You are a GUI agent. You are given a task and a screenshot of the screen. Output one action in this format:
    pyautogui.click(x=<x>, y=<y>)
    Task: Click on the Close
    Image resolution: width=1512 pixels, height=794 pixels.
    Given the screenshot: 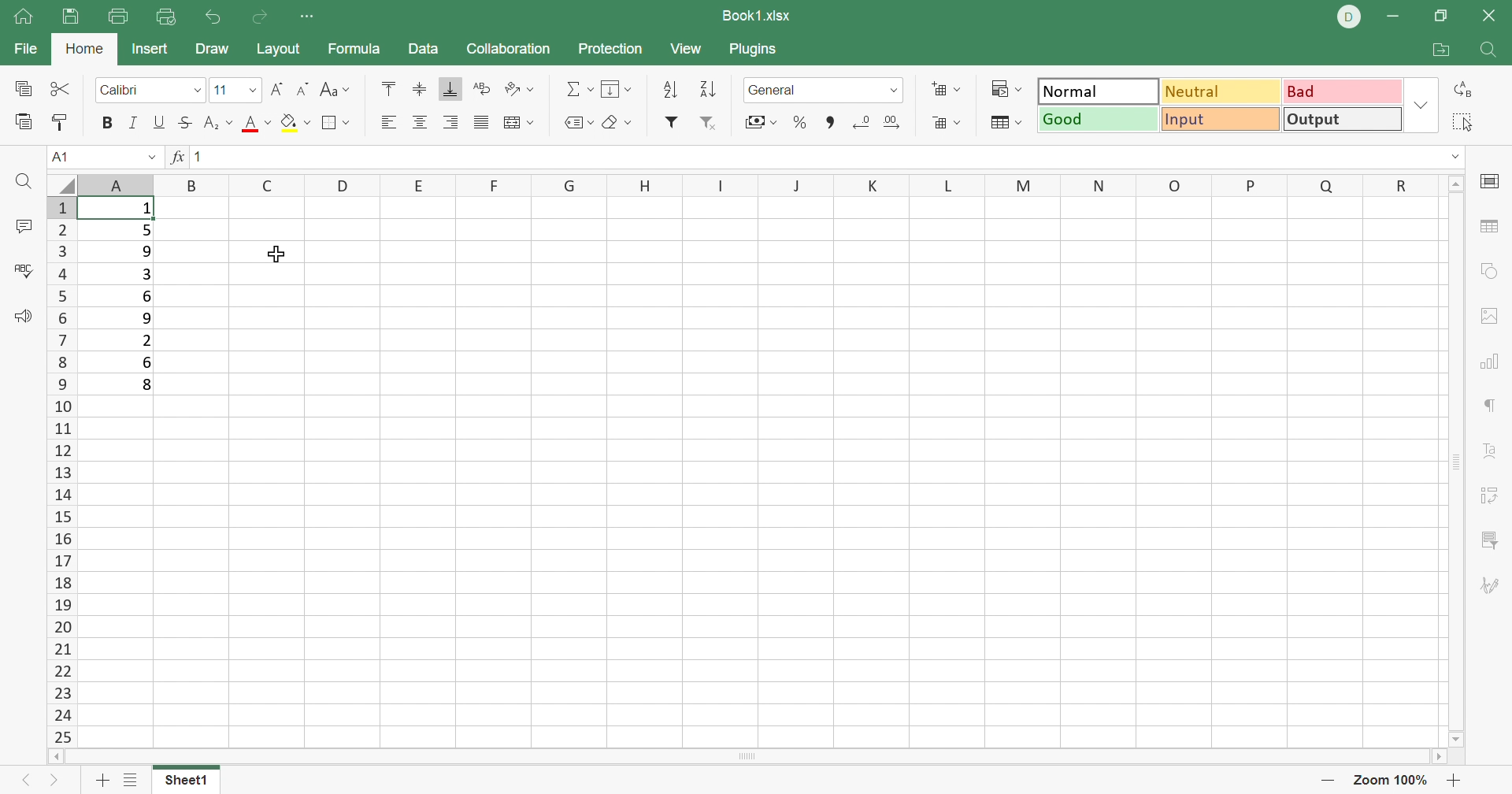 What is the action you would take?
    pyautogui.click(x=1493, y=15)
    